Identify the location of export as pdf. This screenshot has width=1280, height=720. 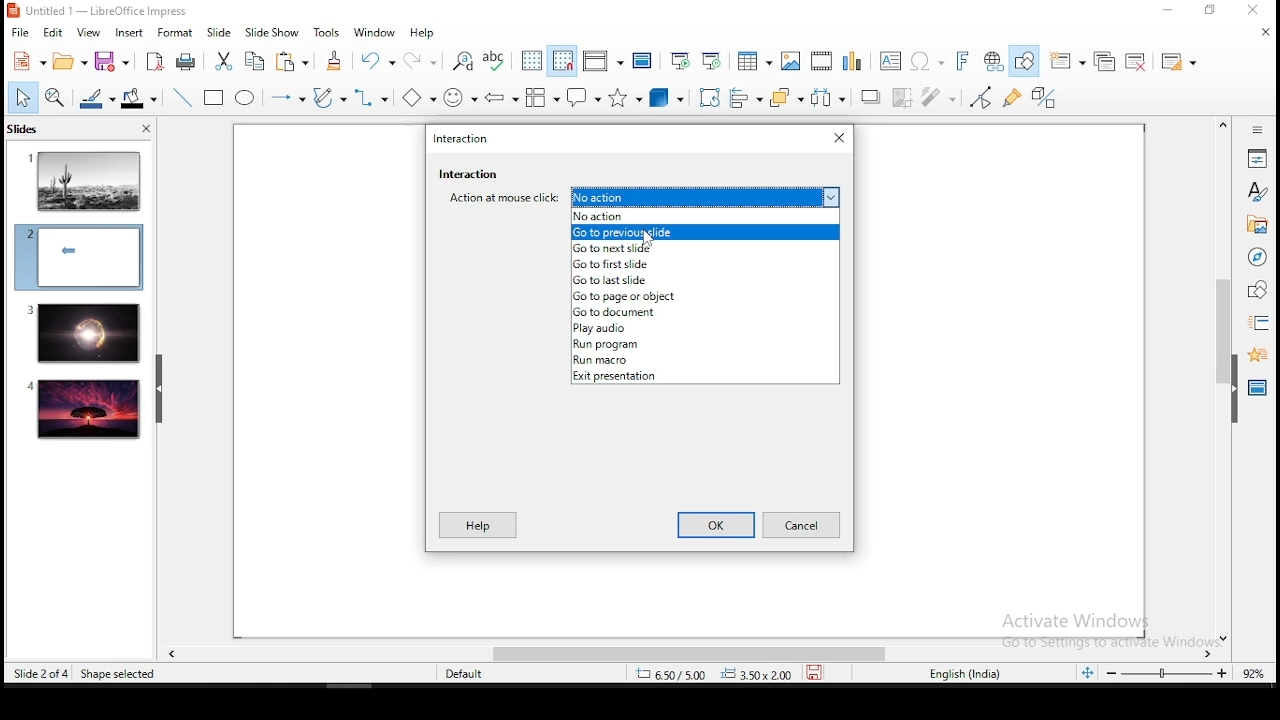
(153, 61).